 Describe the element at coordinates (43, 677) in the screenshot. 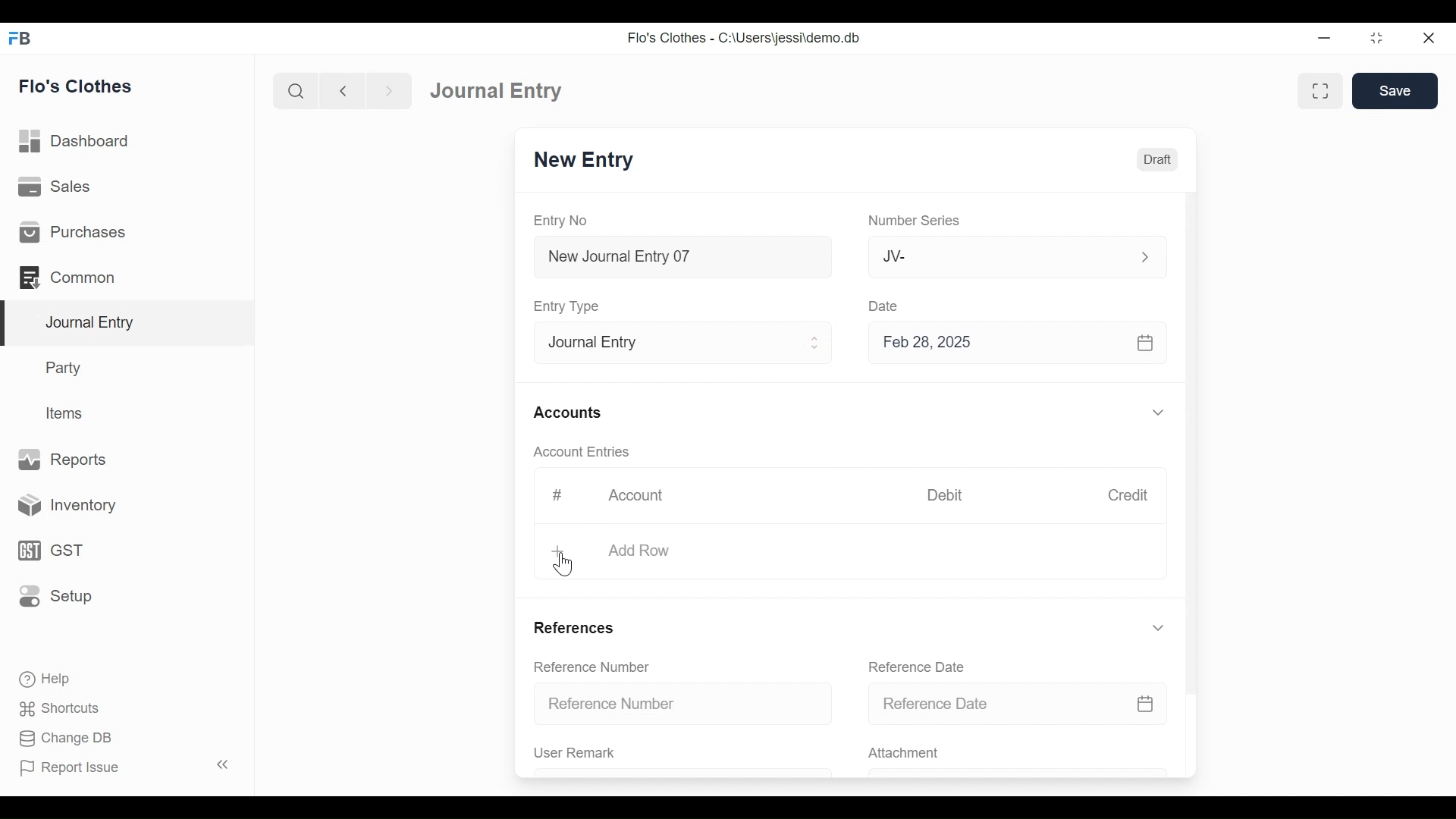

I see `Help` at that location.